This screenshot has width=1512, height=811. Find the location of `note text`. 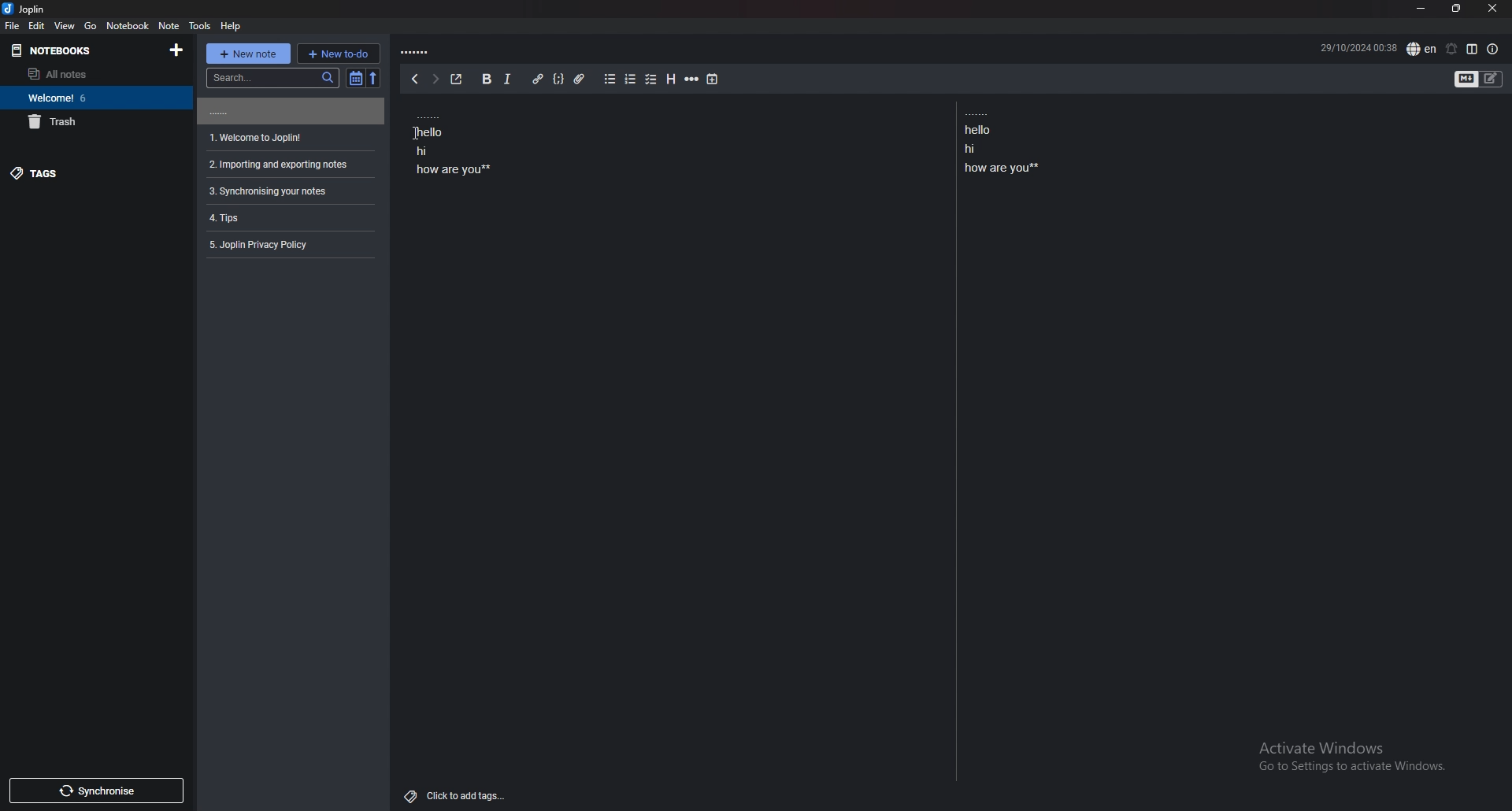

note text is located at coordinates (1004, 143).